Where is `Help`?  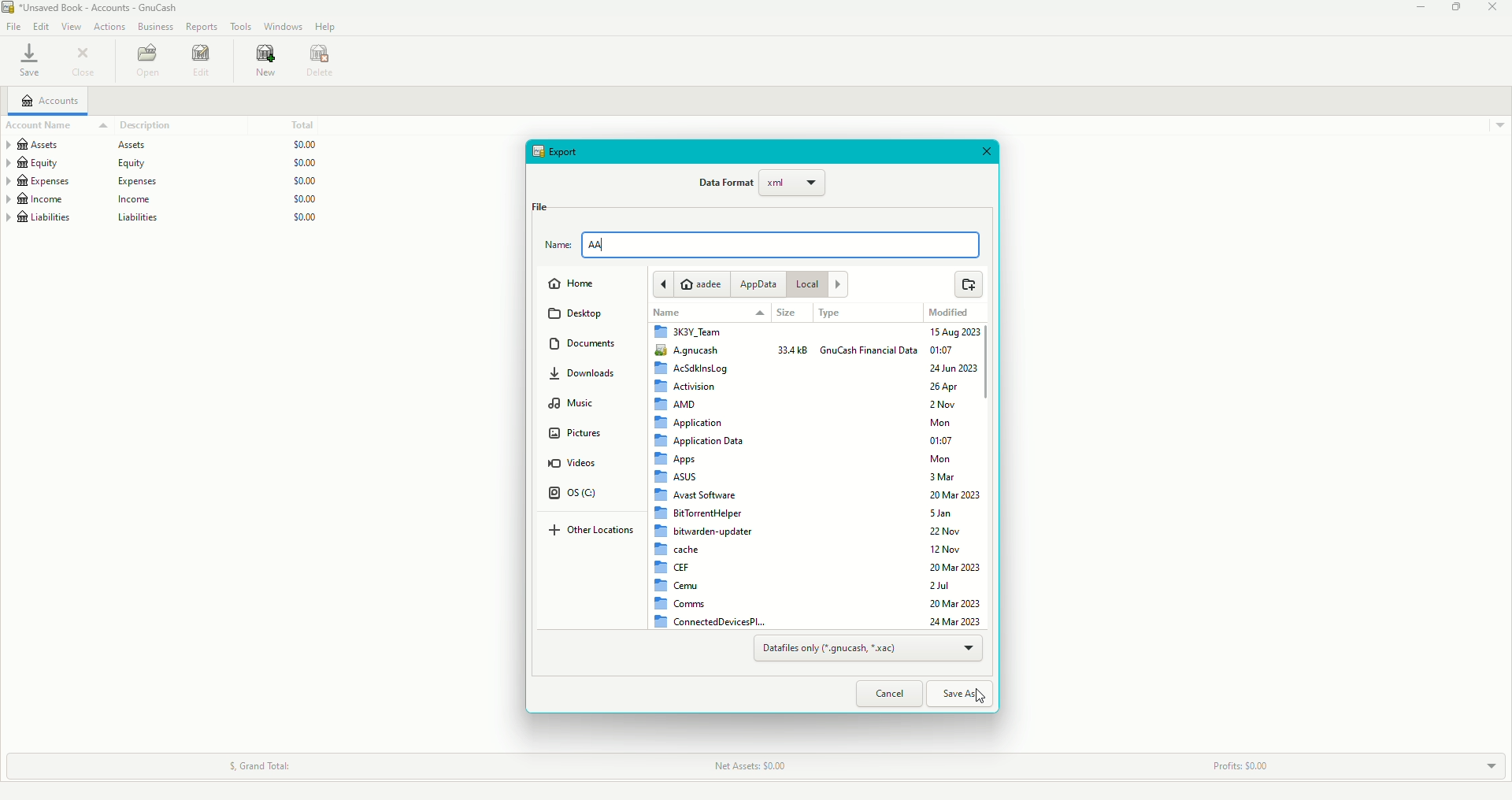 Help is located at coordinates (325, 27).